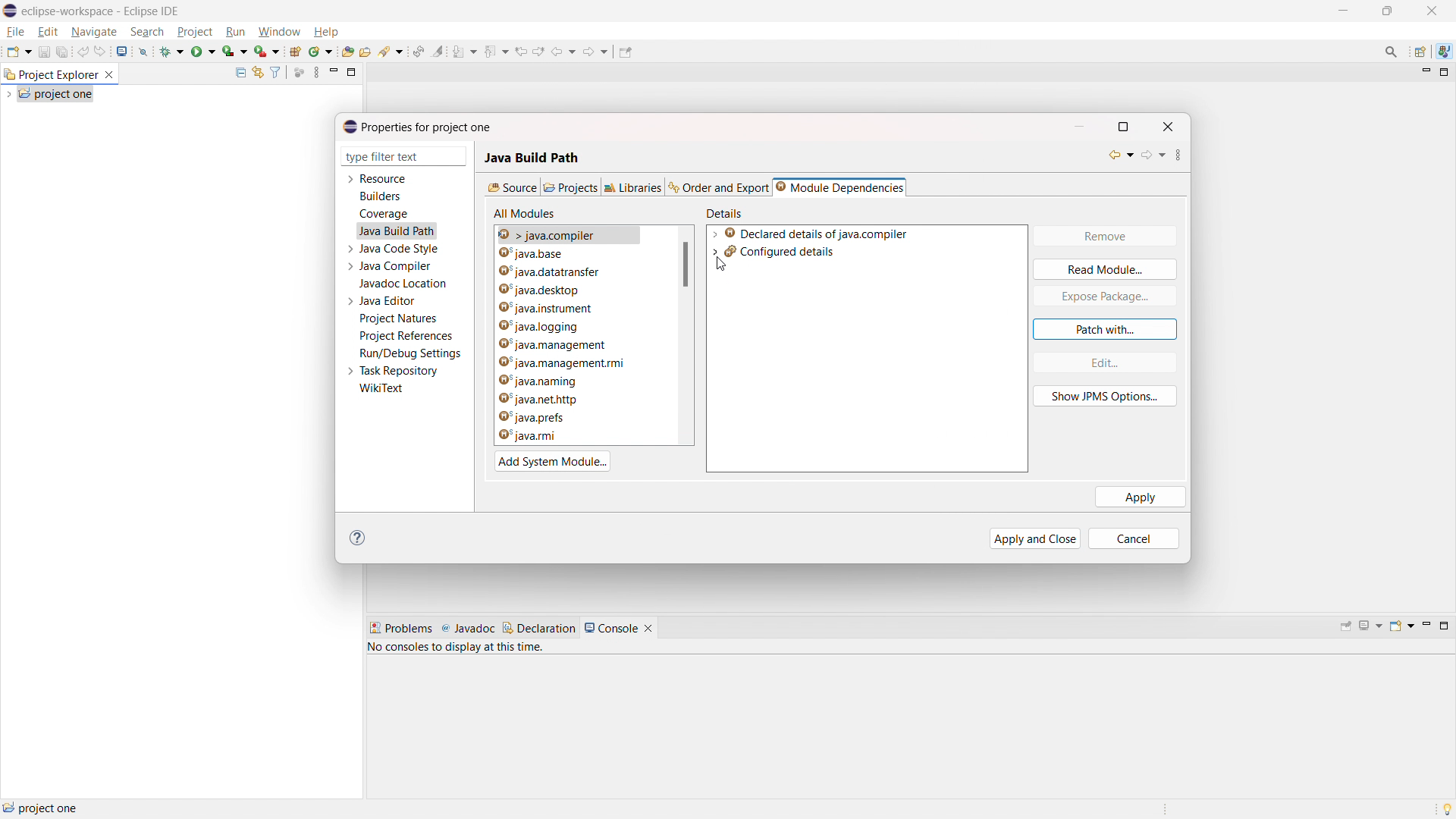 This screenshot has height=819, width=1456. Describe the element at coordinates (83, 51) in the screenshot. I see `undo` at that location.